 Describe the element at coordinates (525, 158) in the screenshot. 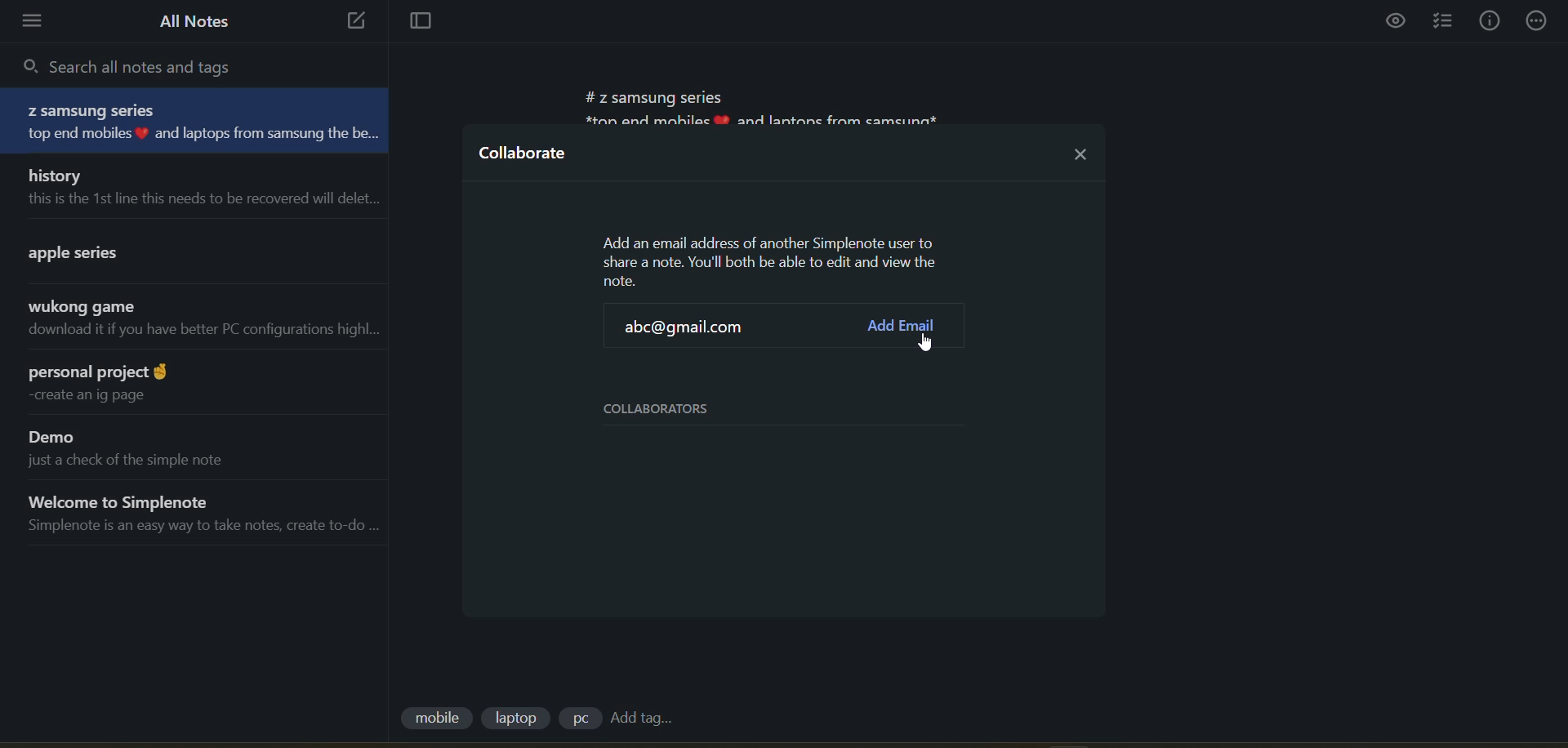

I see `collaborate` at that location.